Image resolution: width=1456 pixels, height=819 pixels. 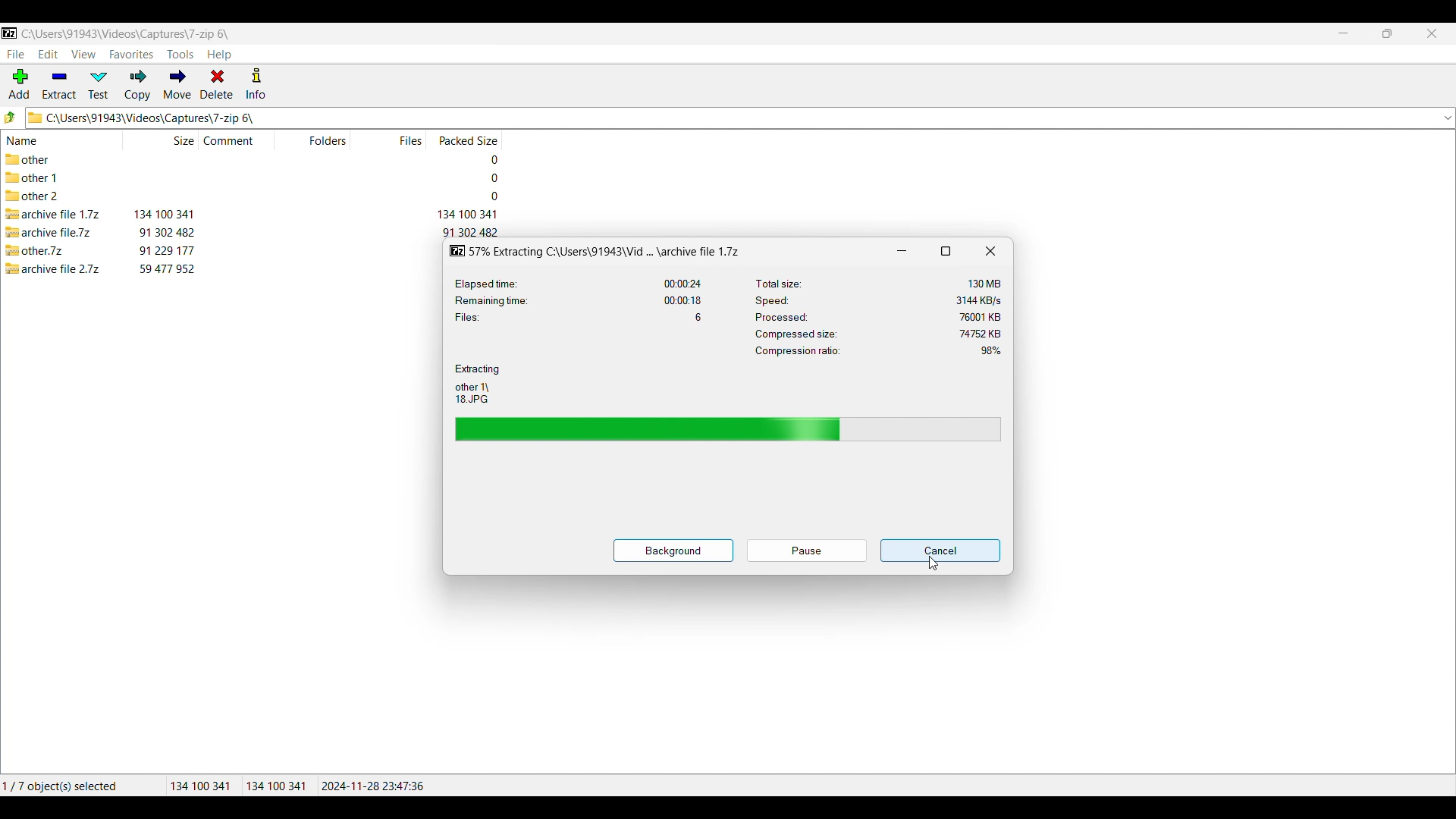 What do you see at coordinates (729, 428) in the screenshot?
I see `Indicates current extraction and remaining extraction` at bounding box center [729, 428].